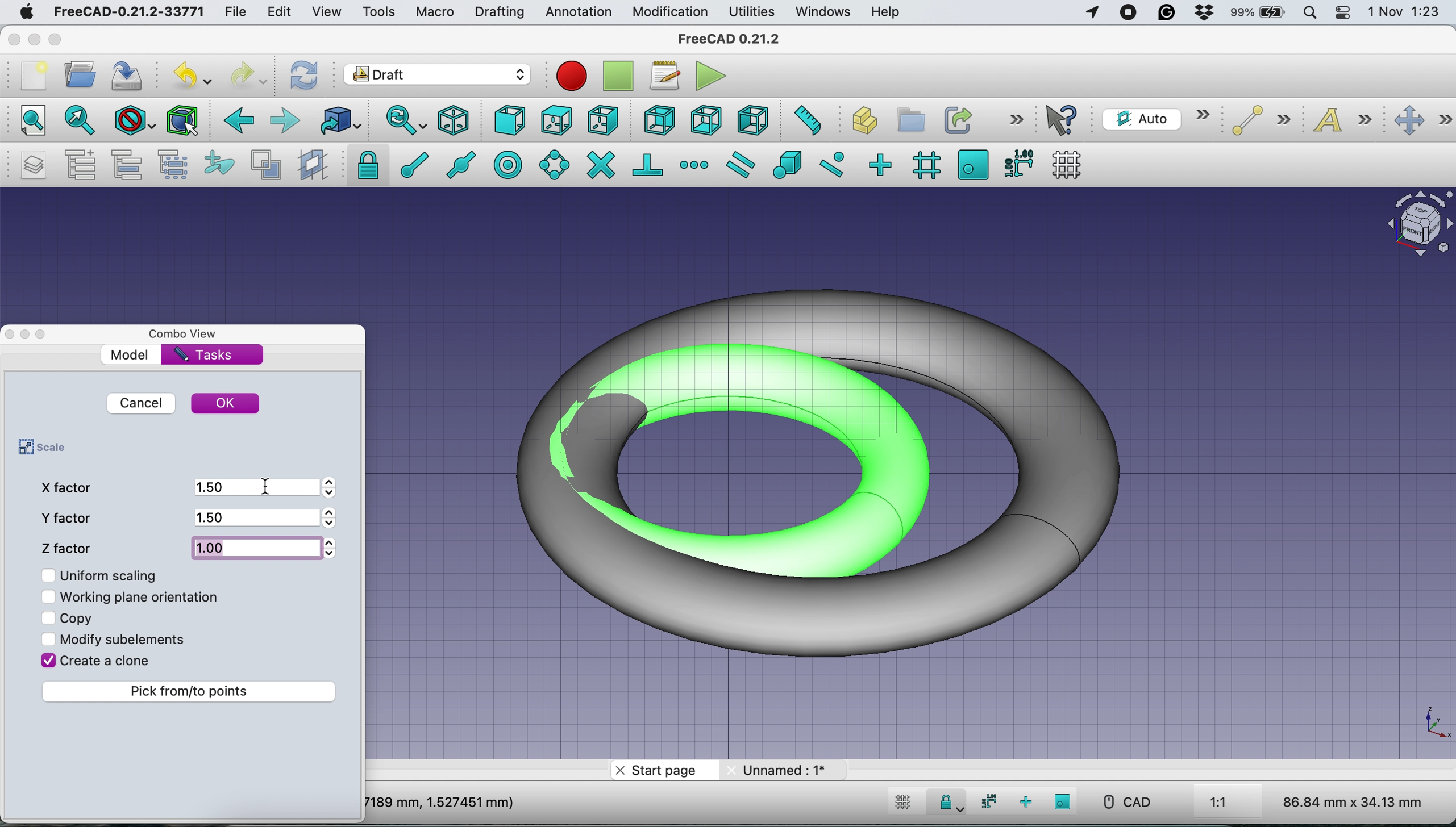 The width and height of the screenshot is (1456, 827). What do you see at coordinates (375, 11) in the screenshot?
I see `tools` at bounding box center [375, 11].